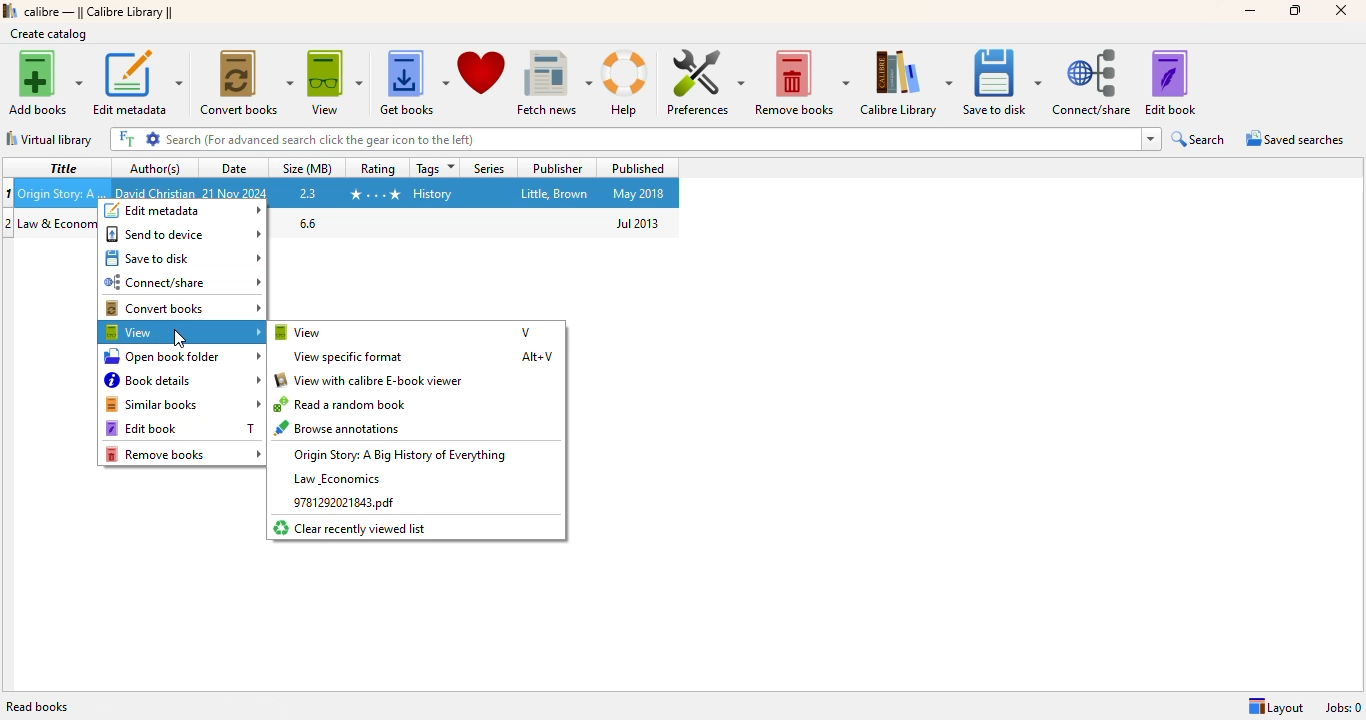  What do you see at coordinates (309, 167) in the screenshot?
I see `size (MB)` at bounding box center [309, 167].